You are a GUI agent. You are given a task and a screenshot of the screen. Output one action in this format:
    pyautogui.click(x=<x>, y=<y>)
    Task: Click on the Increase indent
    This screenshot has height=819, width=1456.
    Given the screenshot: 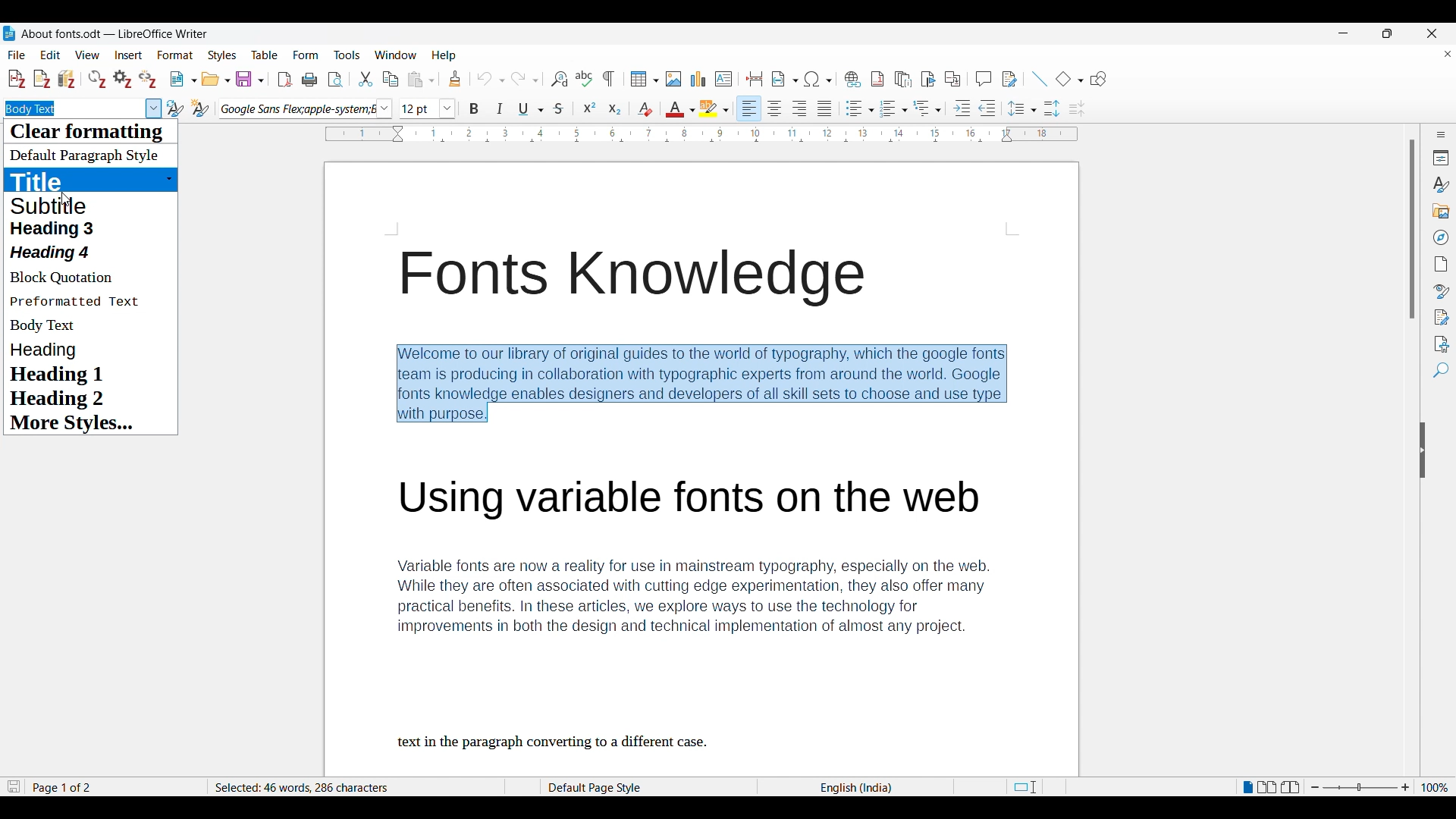 What is the action you would take?
    pyautogui.click(x=962, y=108)
    